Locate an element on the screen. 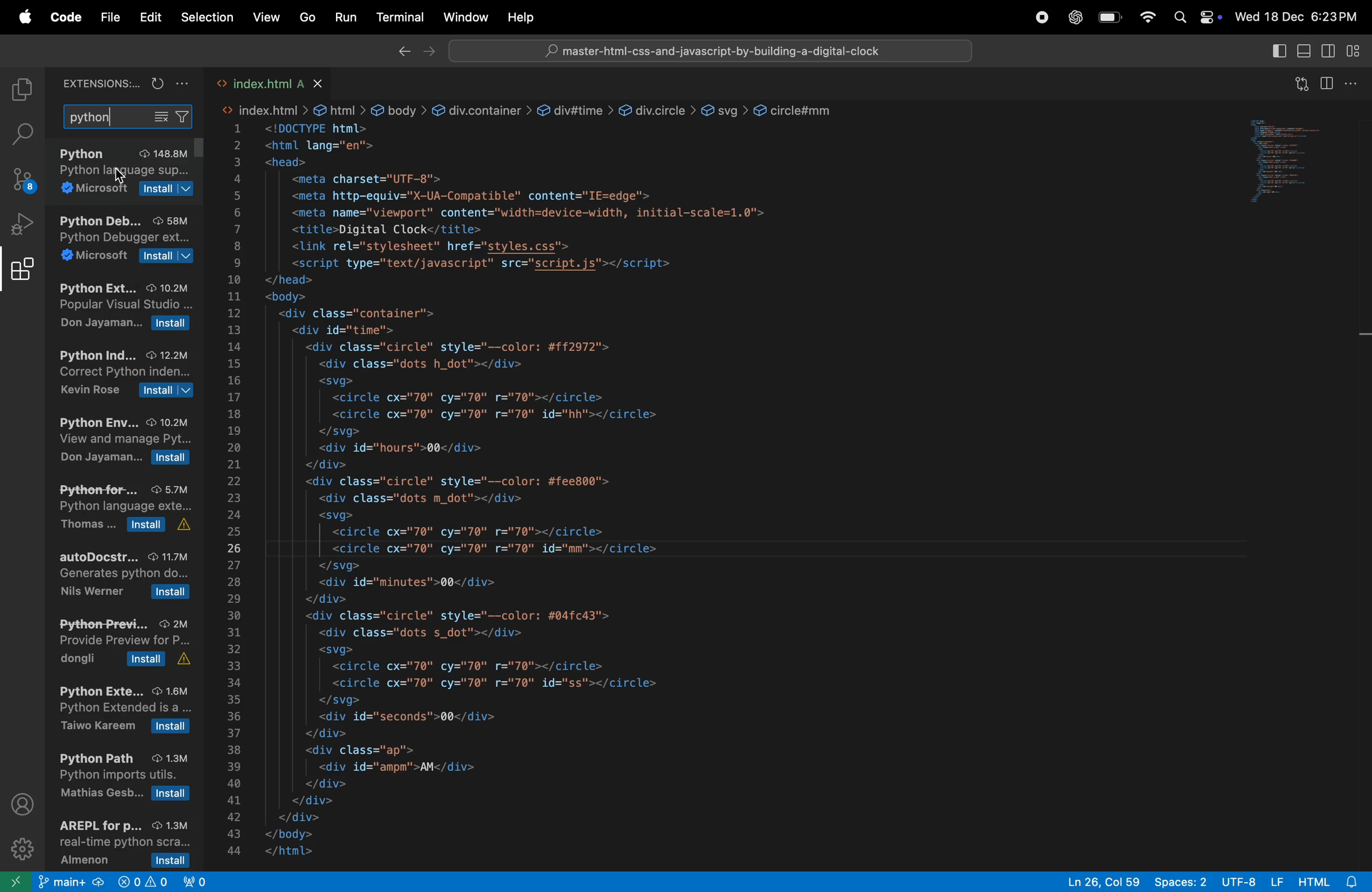  edit is located at coordinates (150, 17).